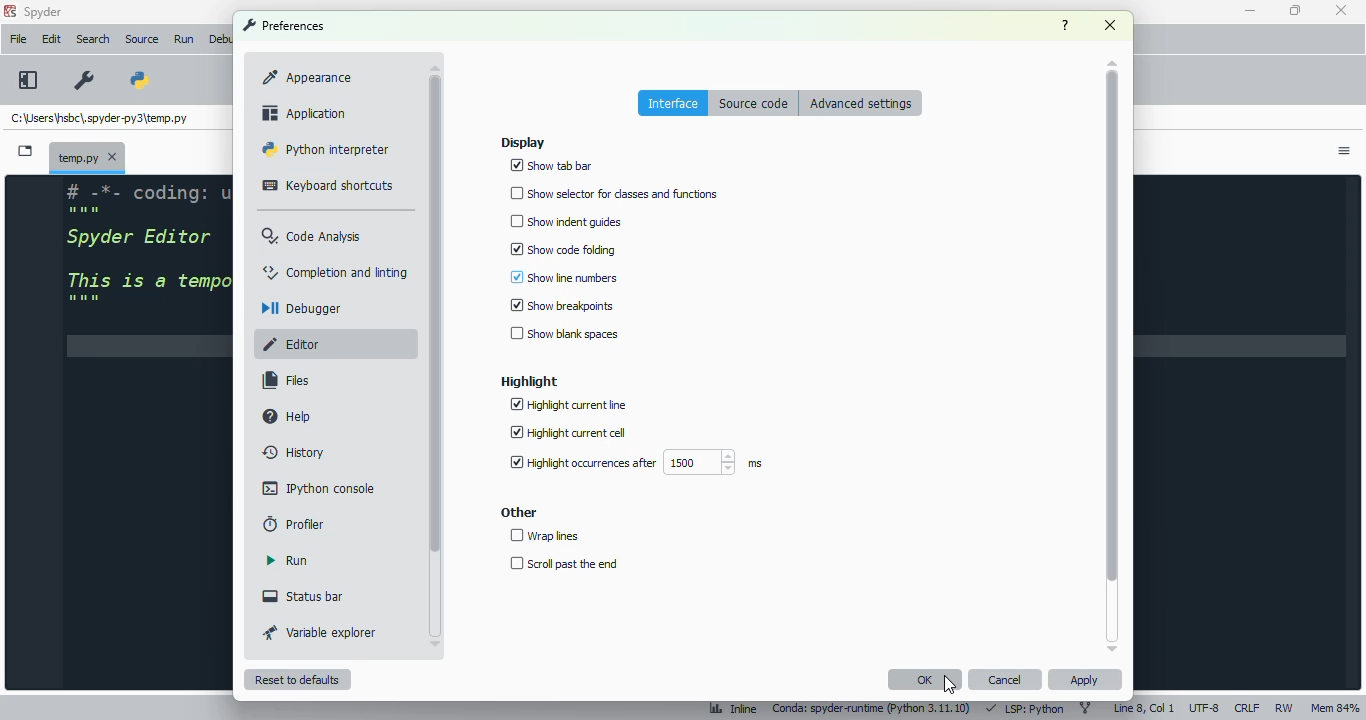 Image resolution: width=1366 pixels, height=720 pixels. Describe the element at coordinates (302, 112) in the screenshot. I see `application ` at that location.